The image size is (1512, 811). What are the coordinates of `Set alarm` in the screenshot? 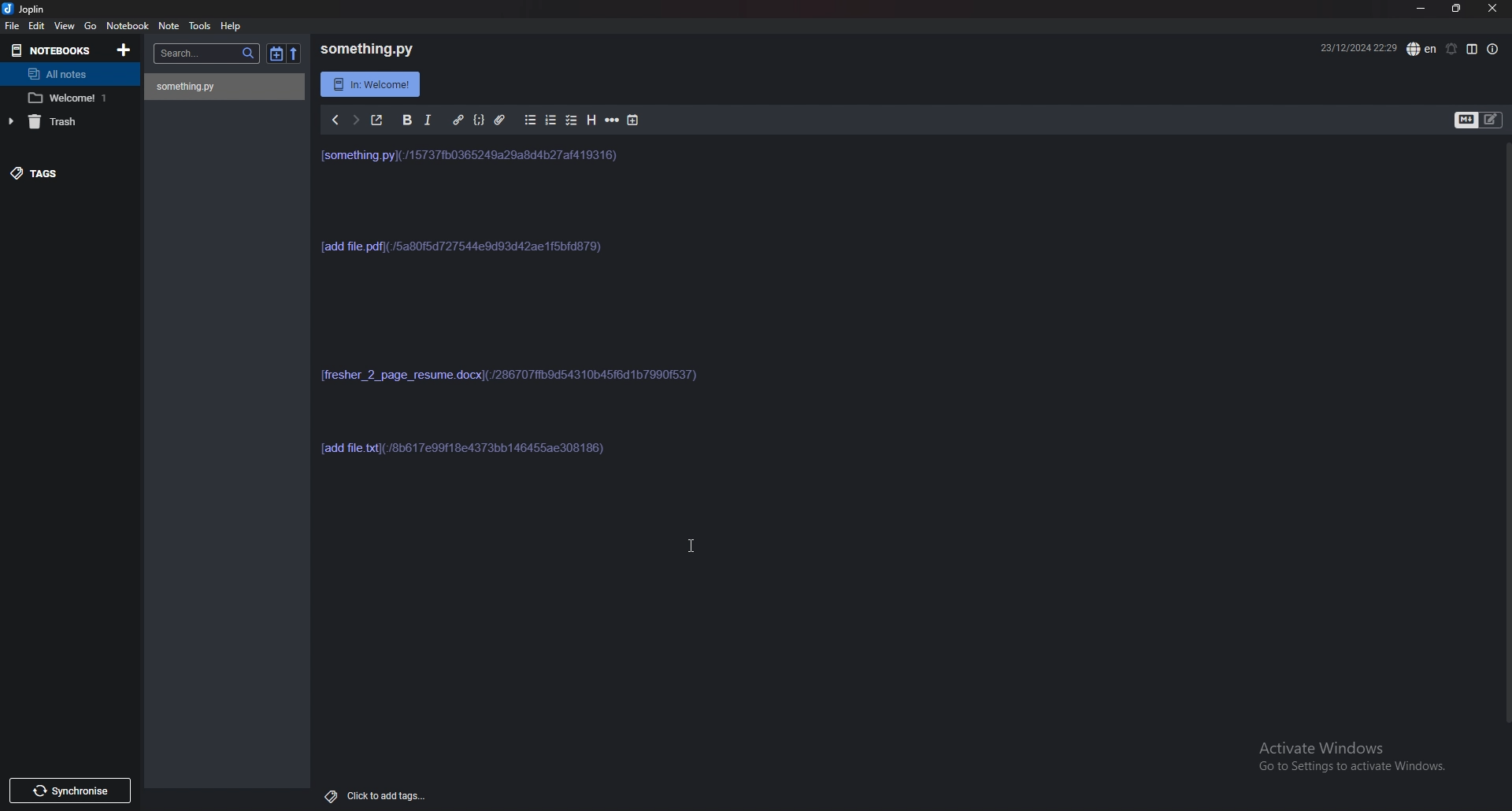 It's located at (1452, 50).